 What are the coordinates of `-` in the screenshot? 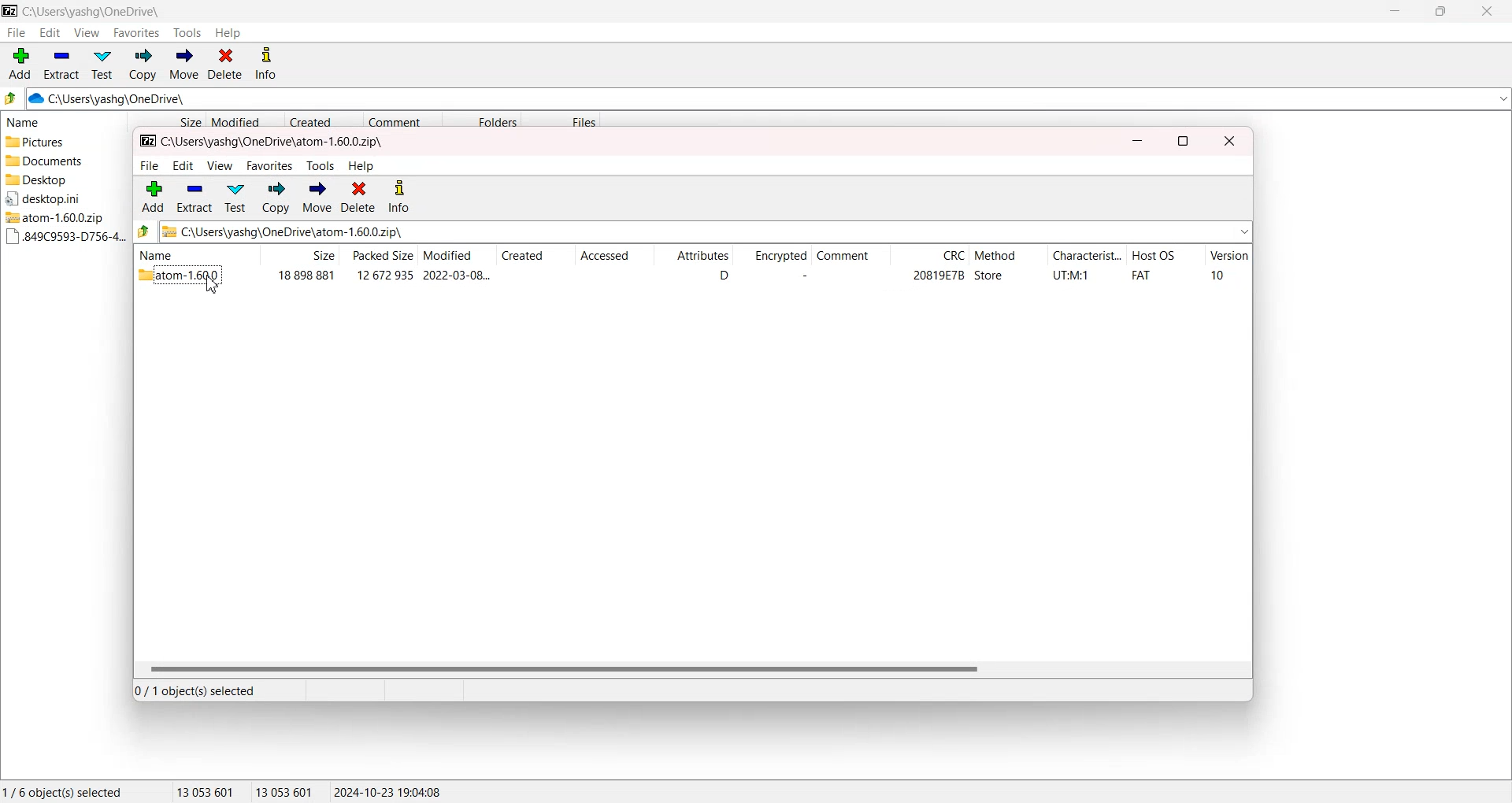 It's located at (801, 276).